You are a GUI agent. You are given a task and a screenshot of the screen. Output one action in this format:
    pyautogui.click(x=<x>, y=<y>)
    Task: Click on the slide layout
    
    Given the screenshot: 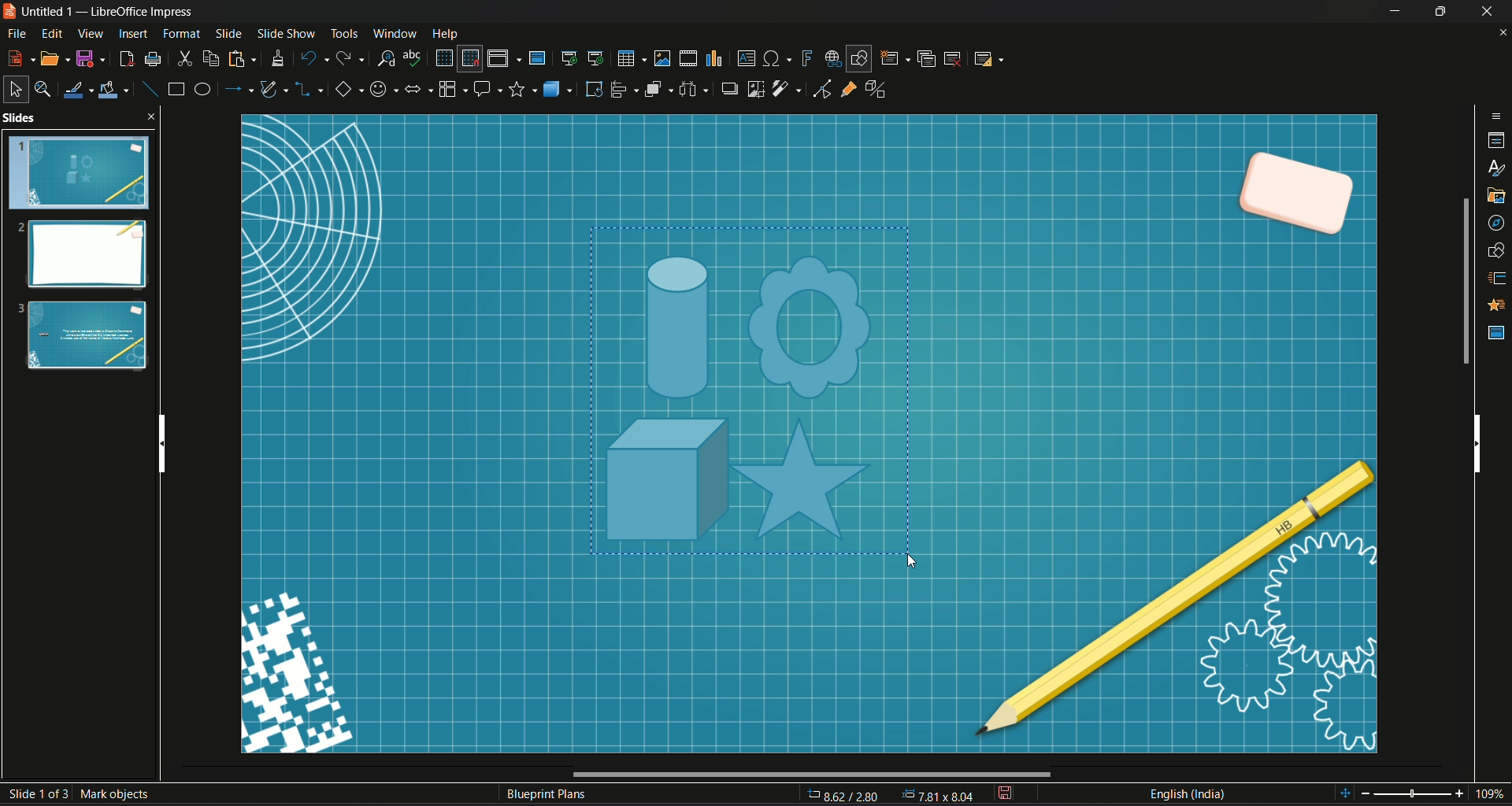 What is the action you would take?
    pyautogui.click(x=987, y=58)
    